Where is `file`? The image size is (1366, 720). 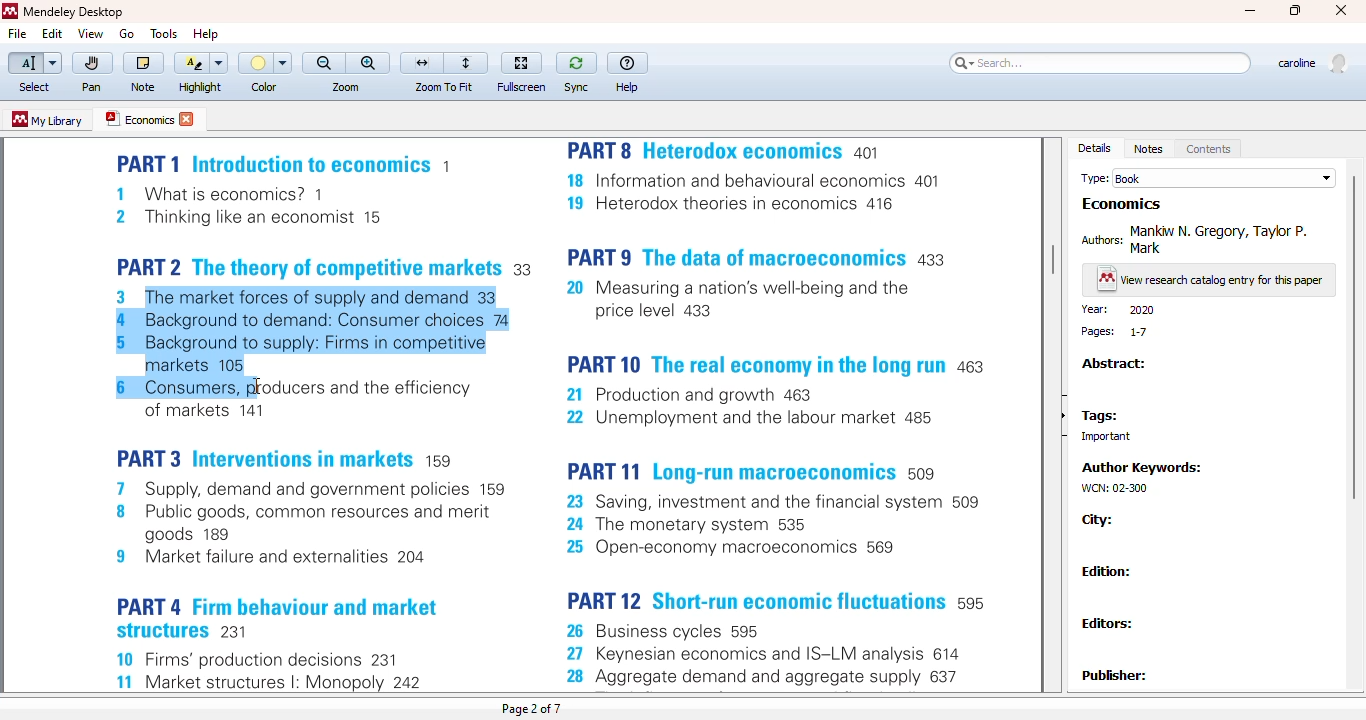
file is located at coordinates (16, 34).